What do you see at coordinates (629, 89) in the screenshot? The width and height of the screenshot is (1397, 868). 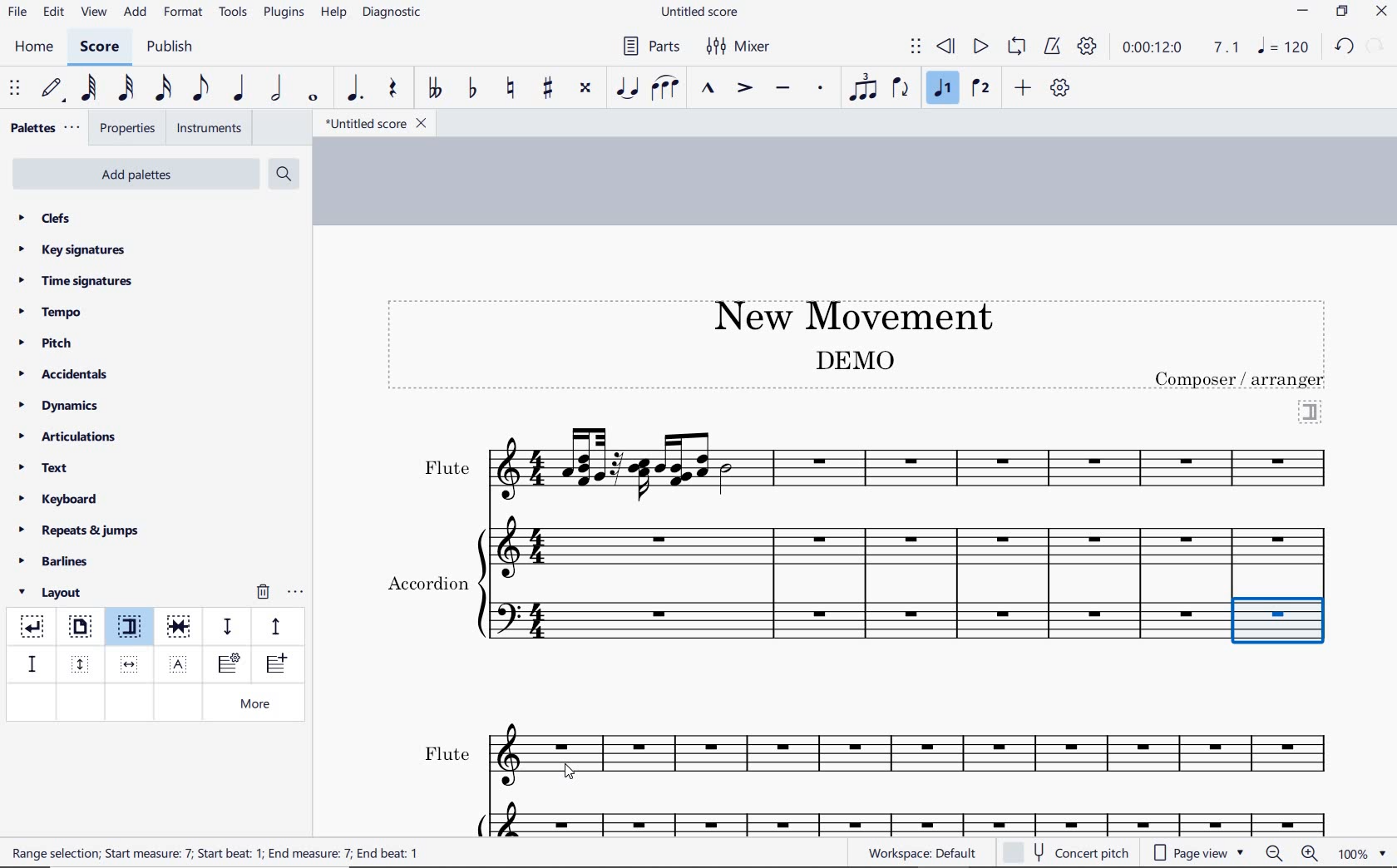 I see `tie` at bounding box center [629, 89].